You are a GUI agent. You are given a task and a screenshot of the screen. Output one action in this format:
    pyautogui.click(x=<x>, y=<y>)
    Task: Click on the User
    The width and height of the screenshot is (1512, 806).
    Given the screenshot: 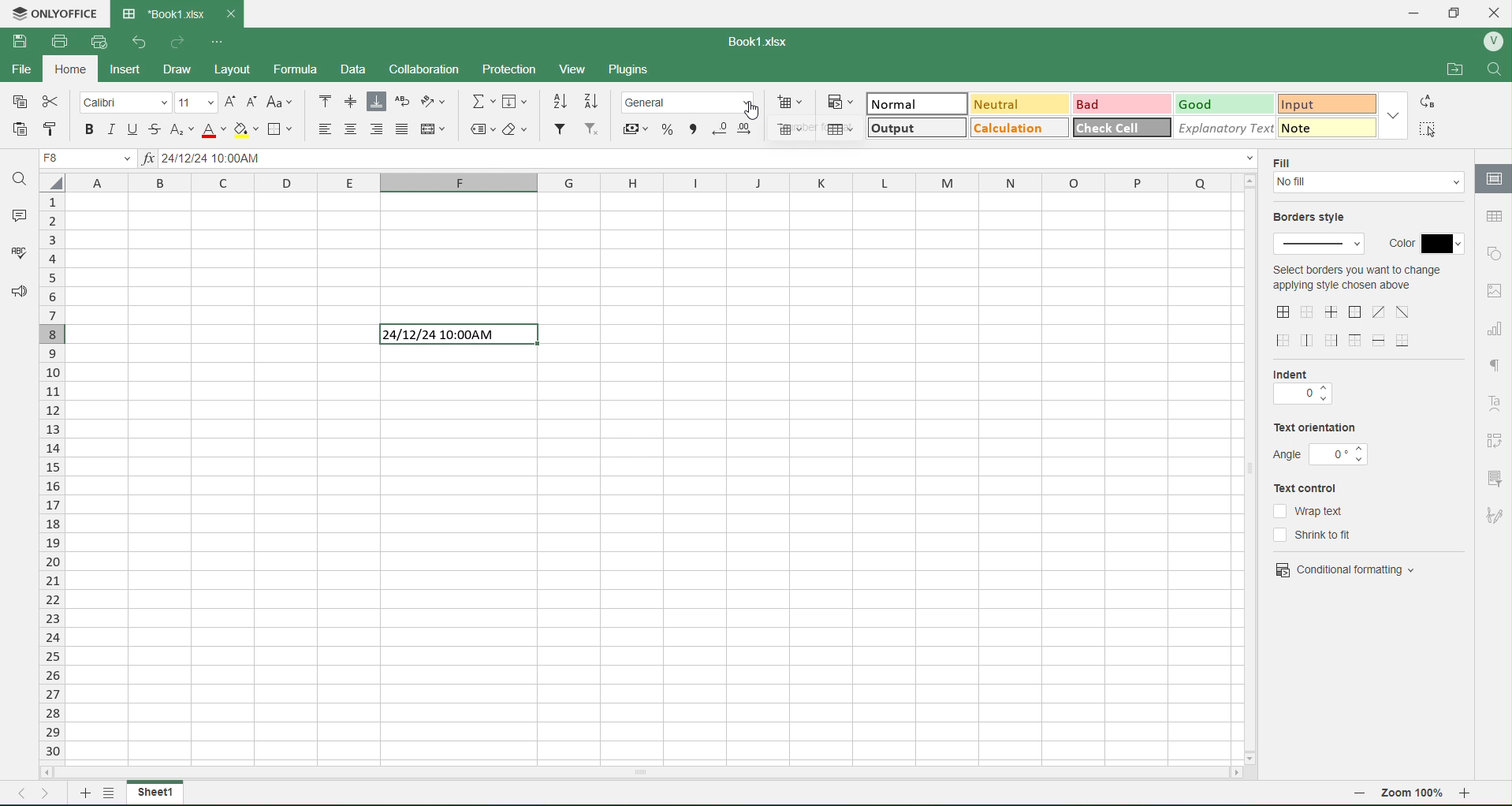 What is the action you would take?
    pyautogui.click(x=1492, y=42)
    